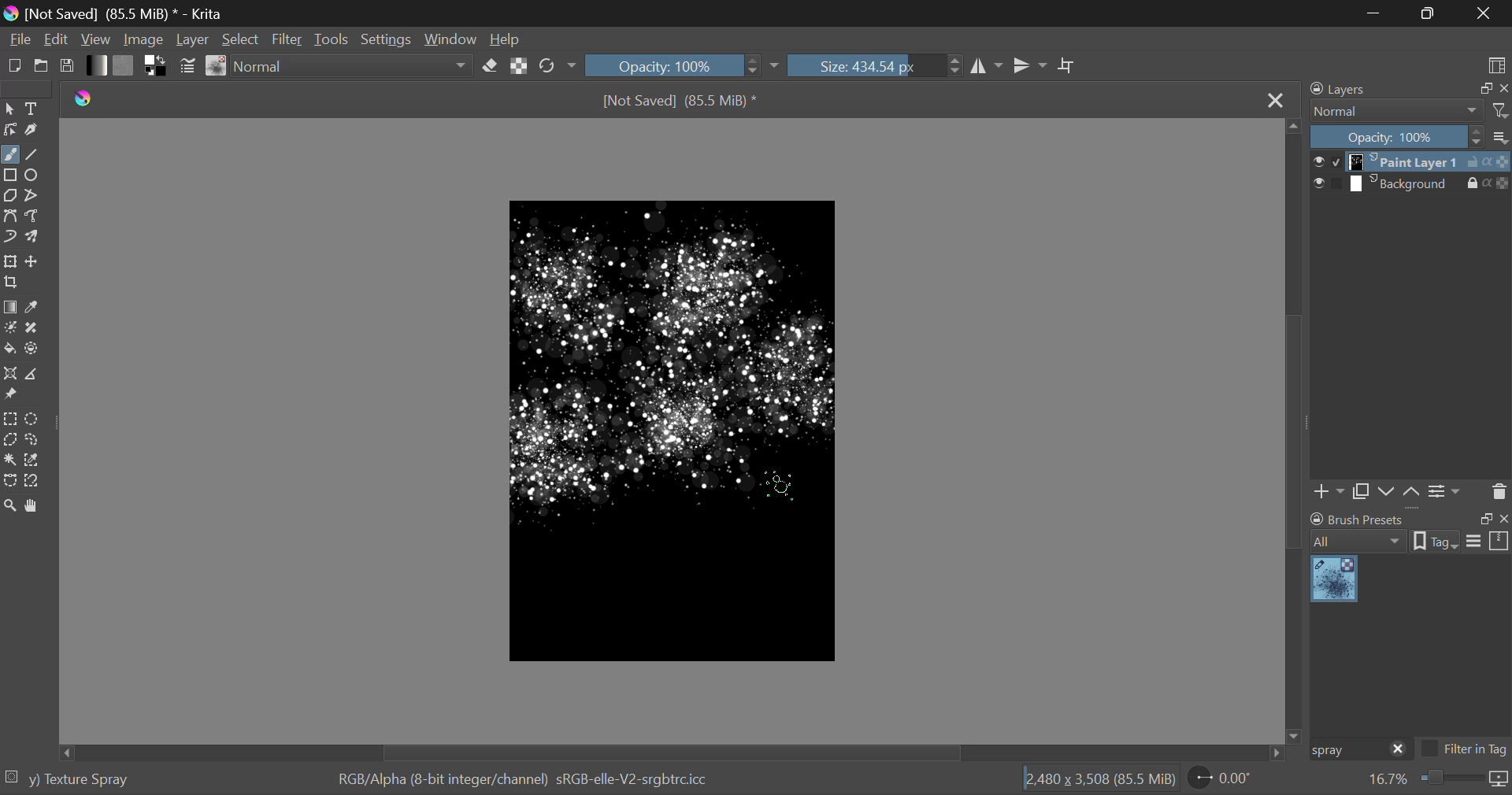  I want to click on Assistant Tool, so click(9, 374).